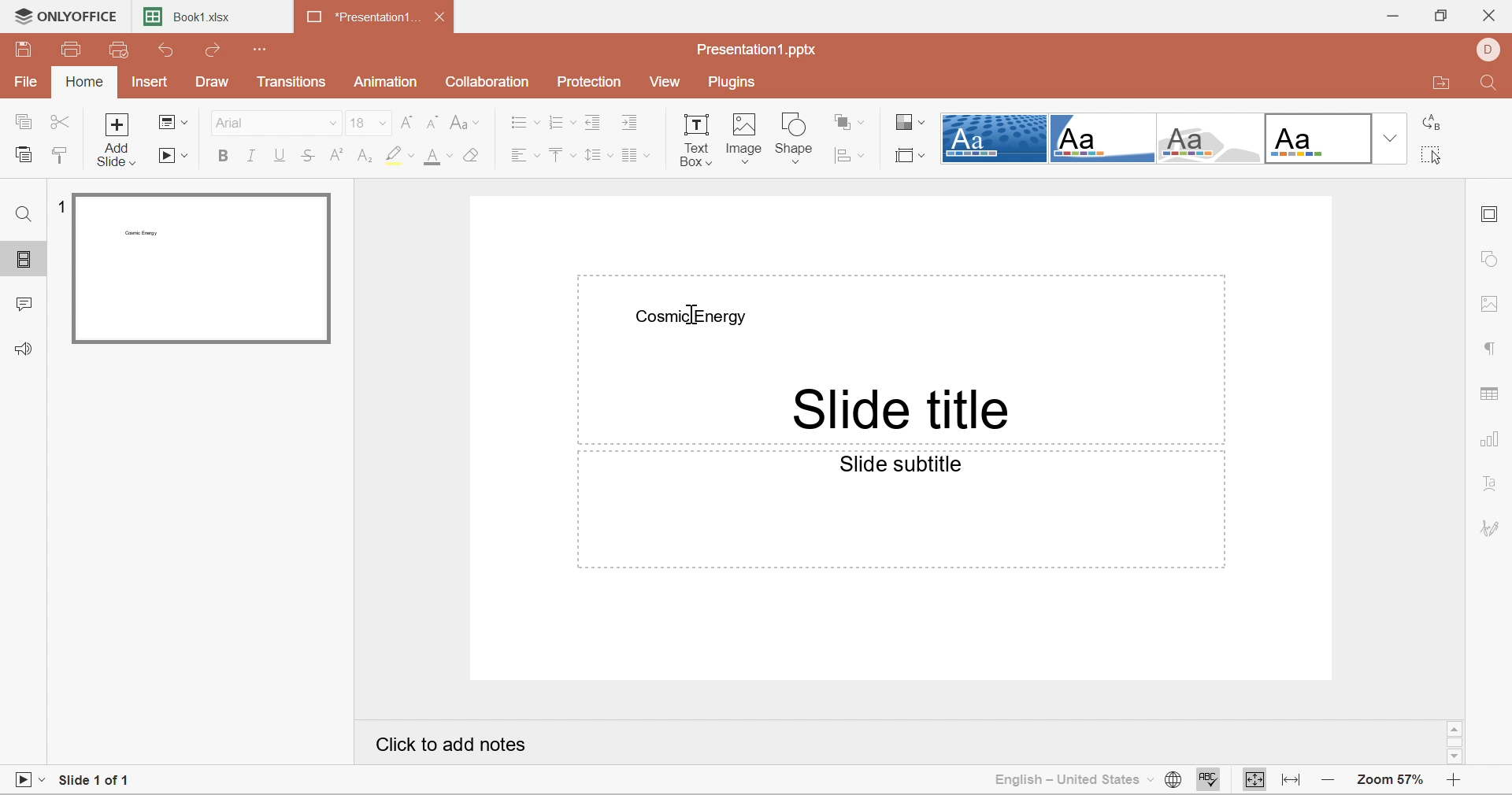 The height and width of the screenshot is (795, 1512). I want to click on Scroll Bar, so click(1456, 741).